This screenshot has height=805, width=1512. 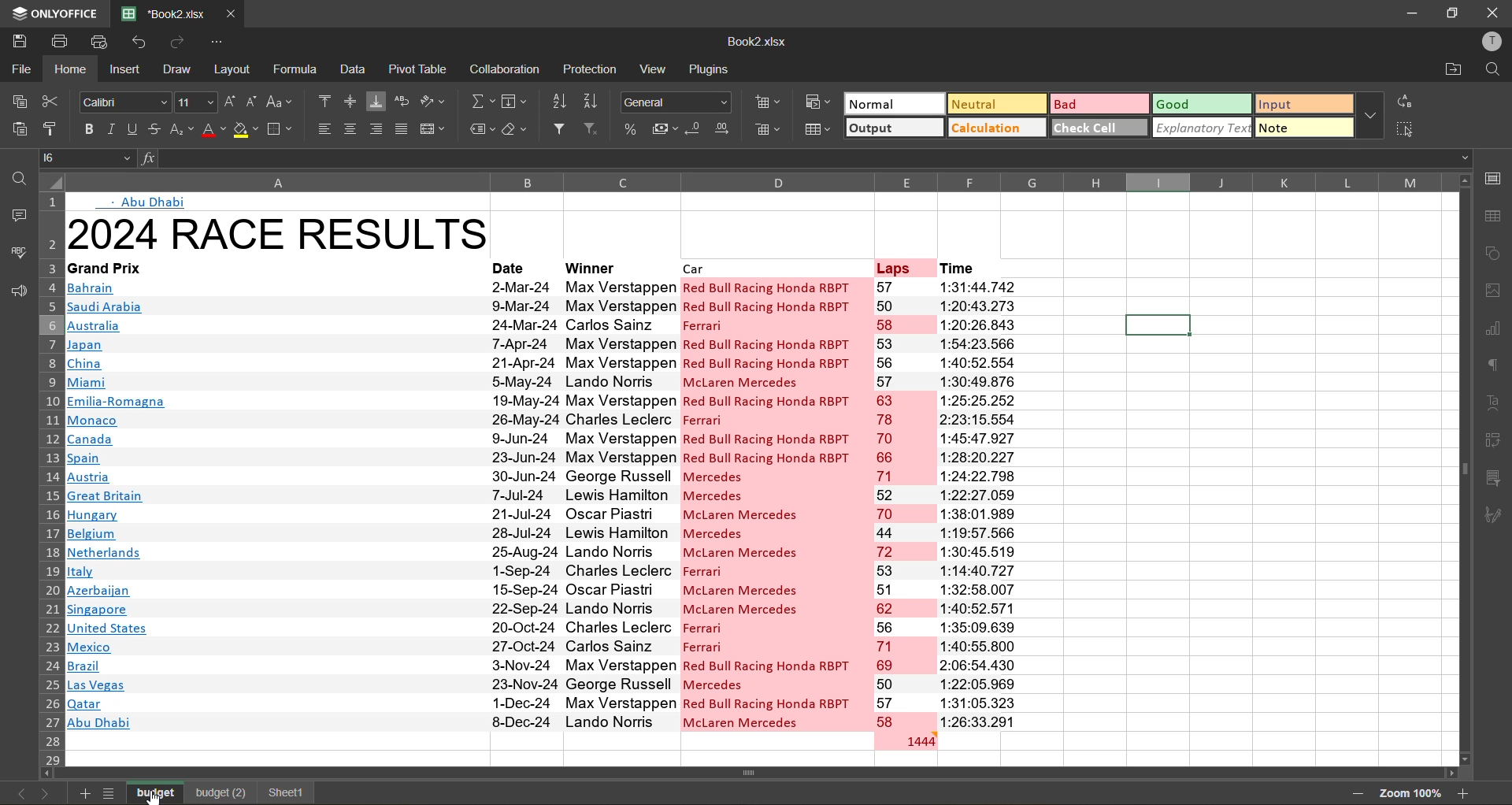 I want to click on sub/superscript, so click(x=181, y=131).